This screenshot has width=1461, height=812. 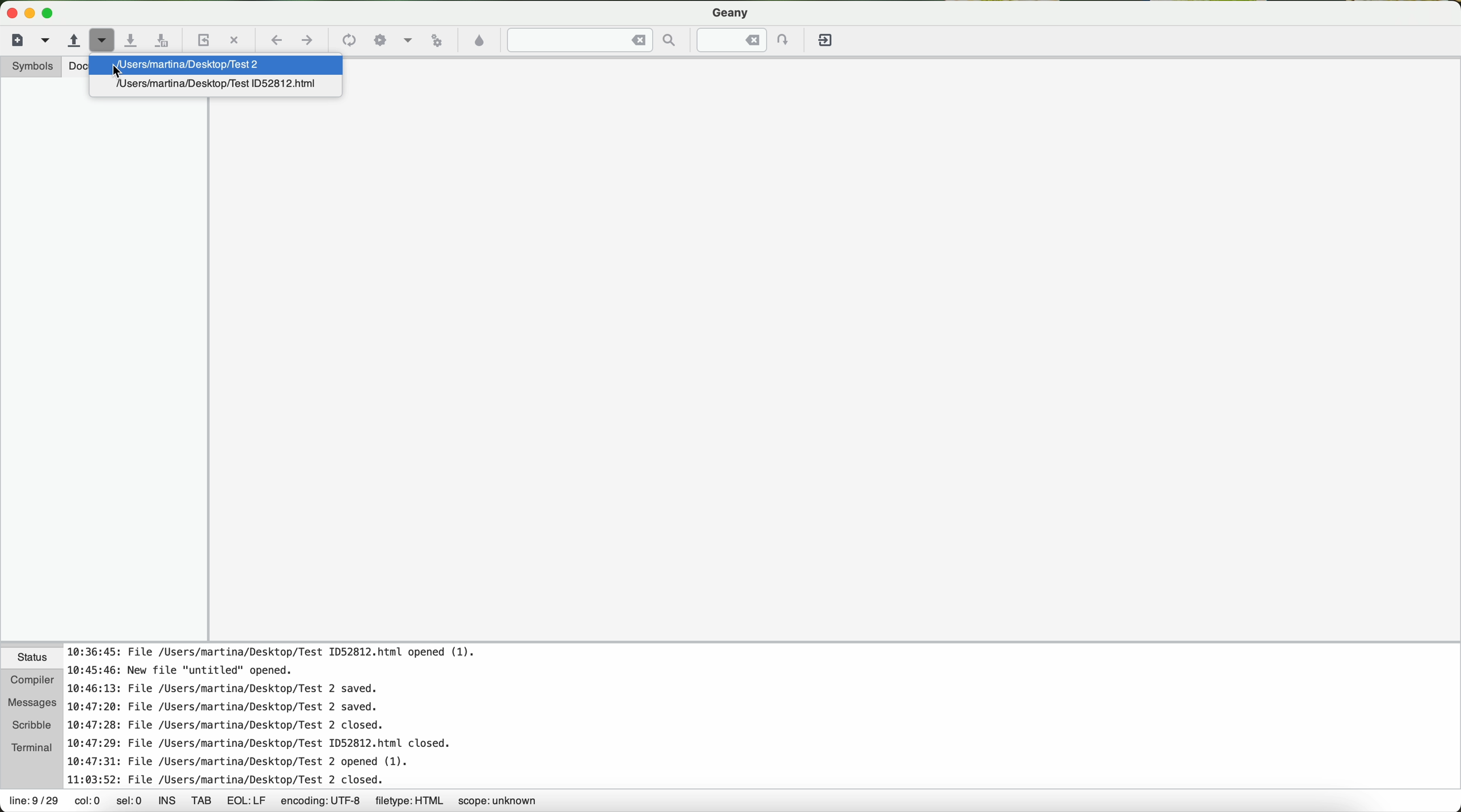 I want to click on quit Geany, so click(x=827, y=43).